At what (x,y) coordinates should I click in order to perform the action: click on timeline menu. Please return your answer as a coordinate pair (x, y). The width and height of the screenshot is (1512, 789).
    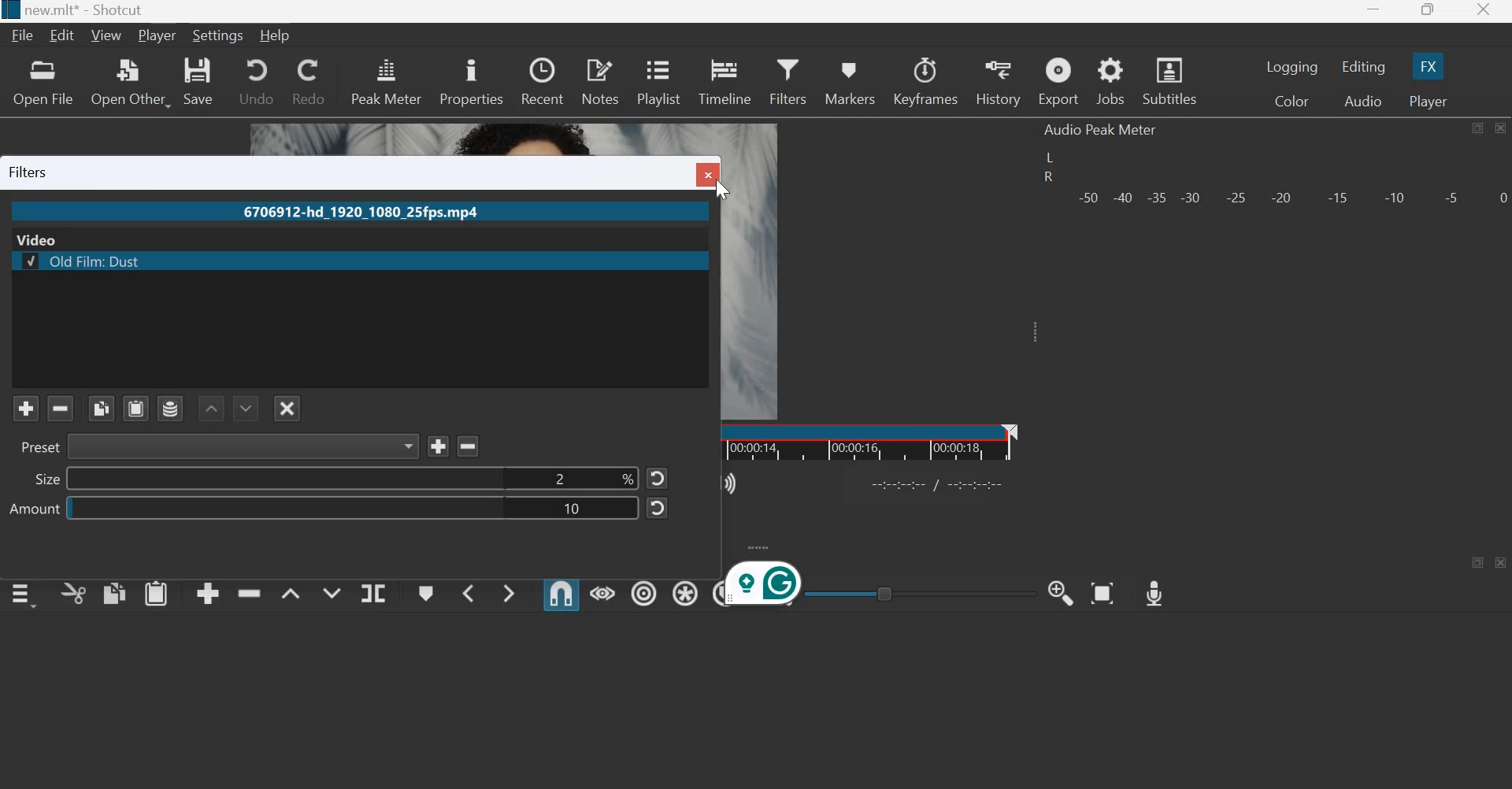
    Looking at the image, I should click on (27, 595).